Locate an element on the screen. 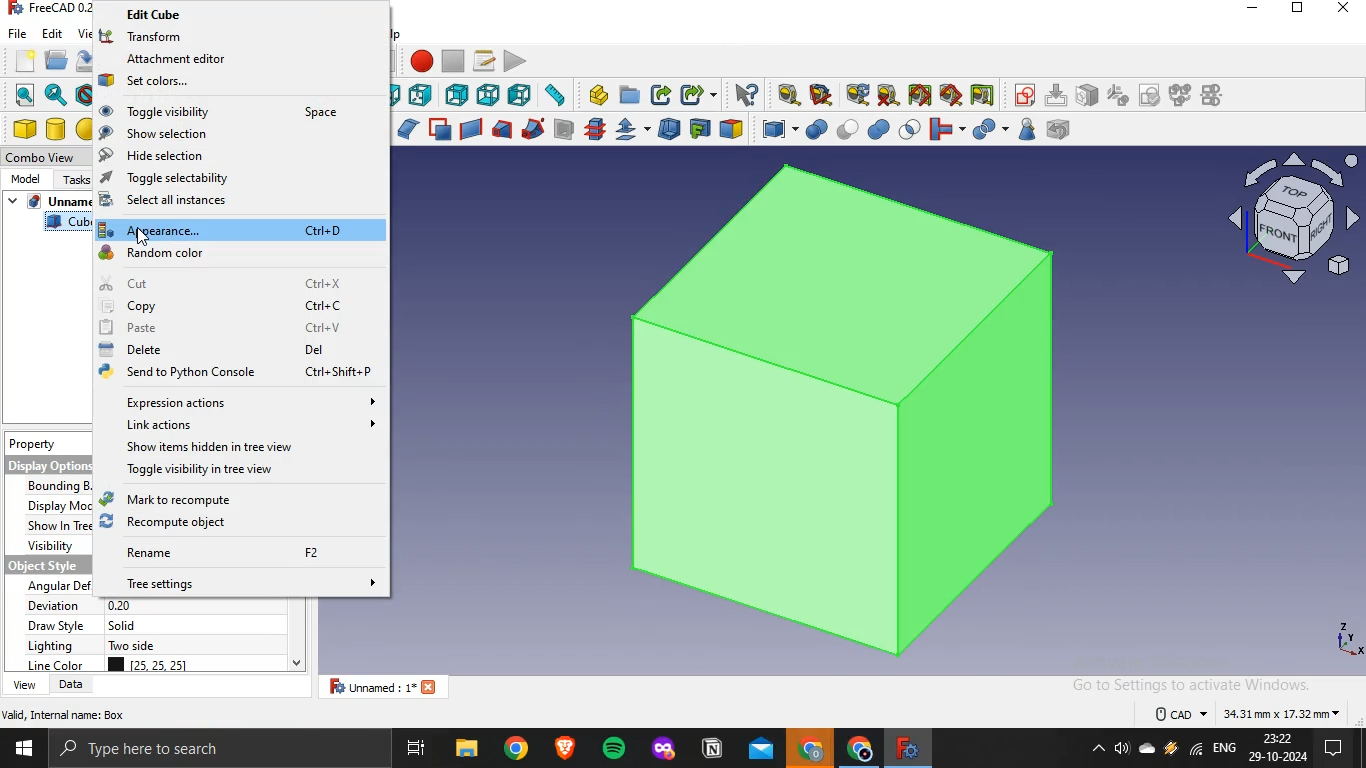 The width and height of the screenshot is (1366, 768). brave is located at coordinates (565, 747).